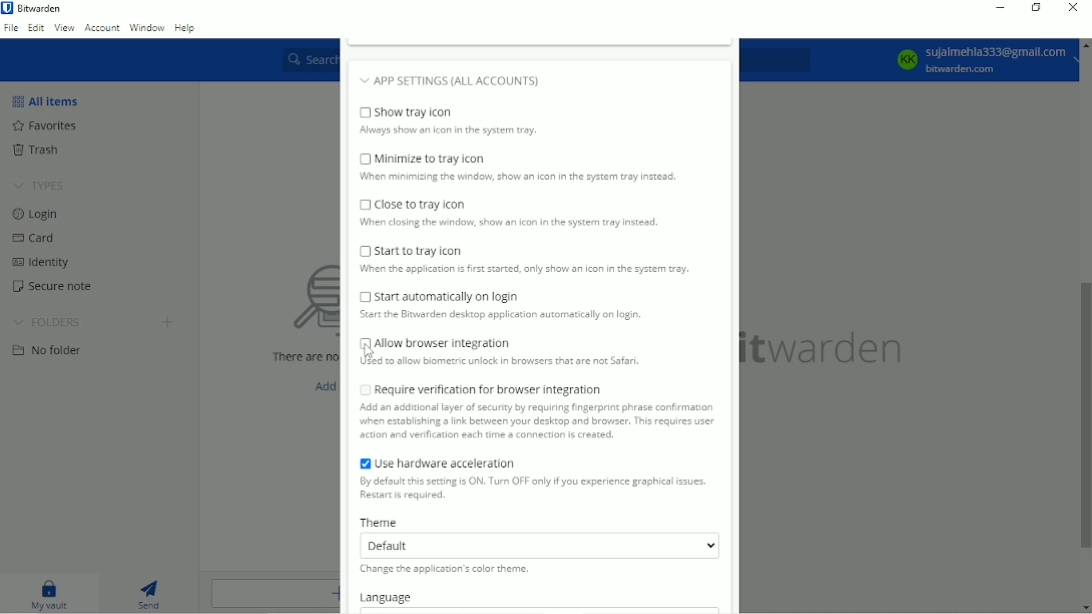 This screenshot has height=614, width=1092. Describe the element at coordinates (36, 214) in the screenshot. I see `Login` at that location.